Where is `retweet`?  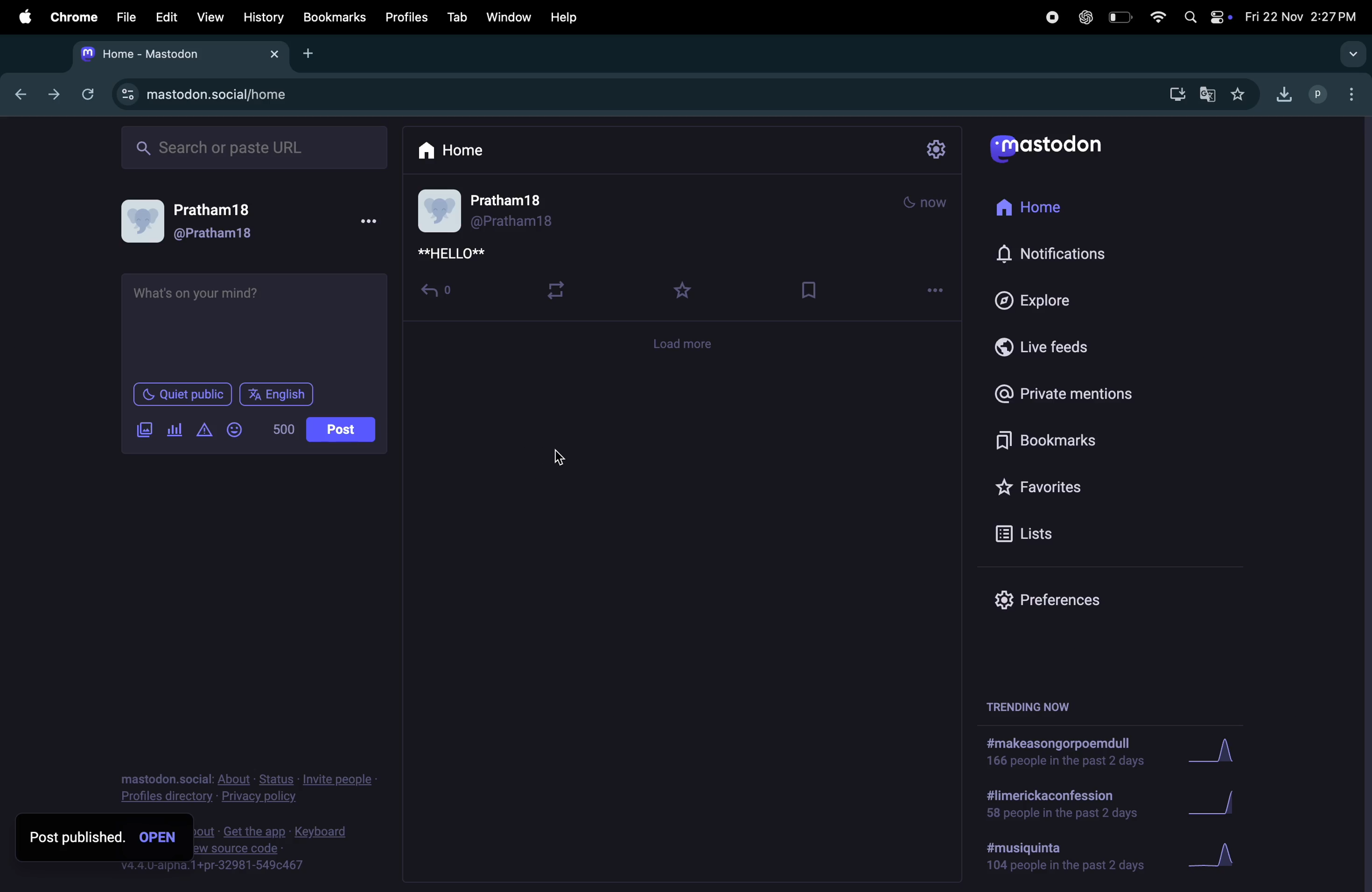
retweet is located at coordinates (564, 293).